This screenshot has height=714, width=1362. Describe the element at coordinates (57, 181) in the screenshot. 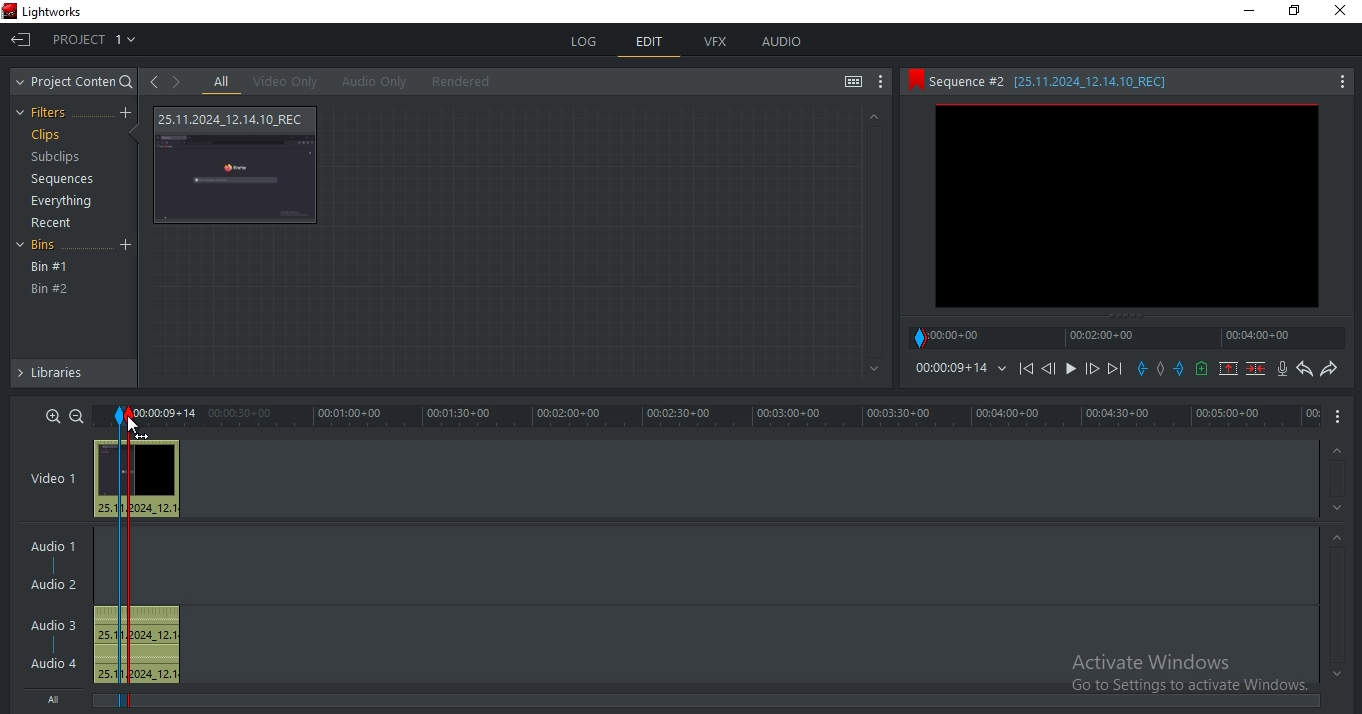

I see `sequences` at that location.